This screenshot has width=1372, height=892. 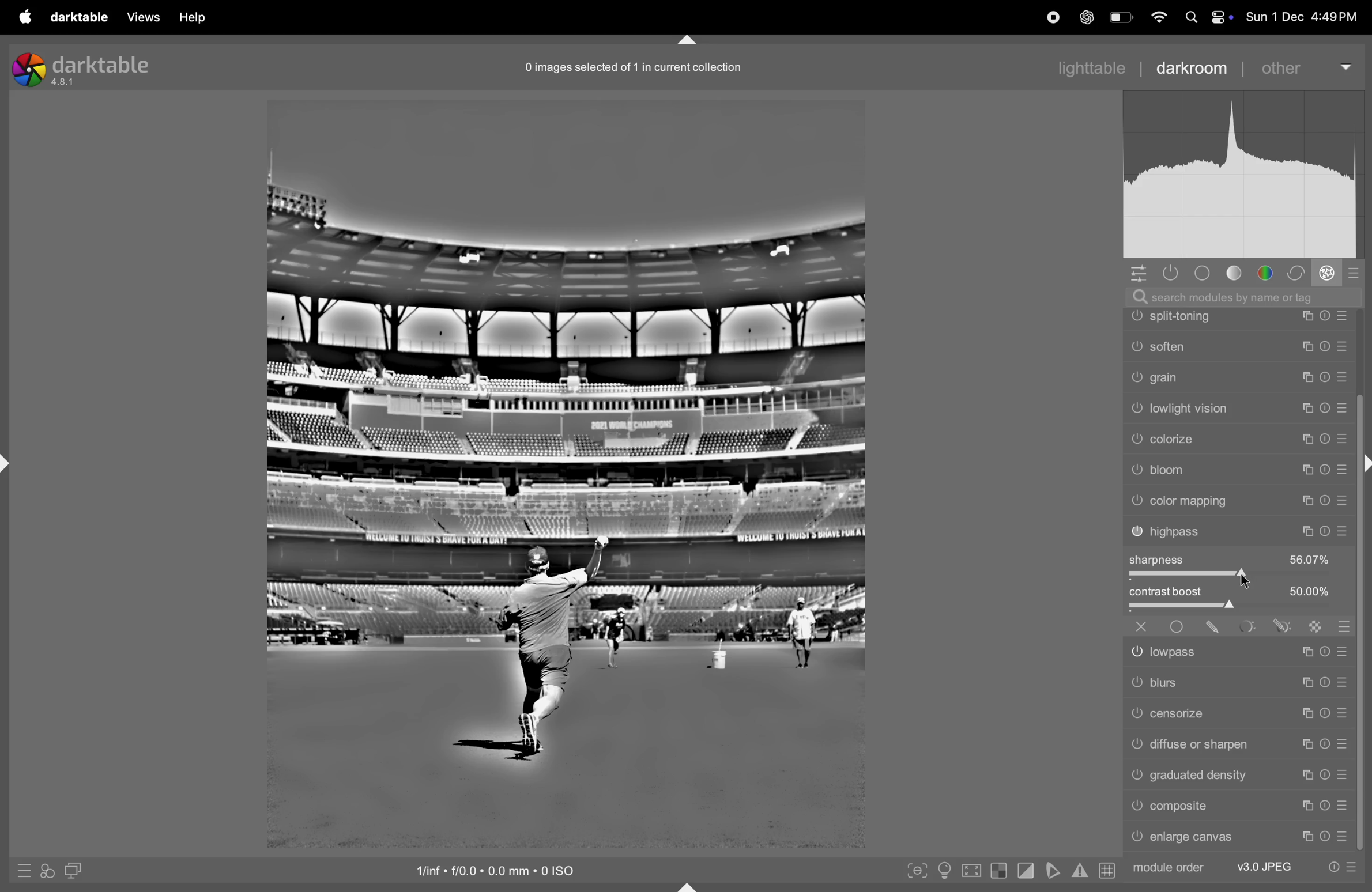 I want to click on date and time, so click(x=1305, y=17).